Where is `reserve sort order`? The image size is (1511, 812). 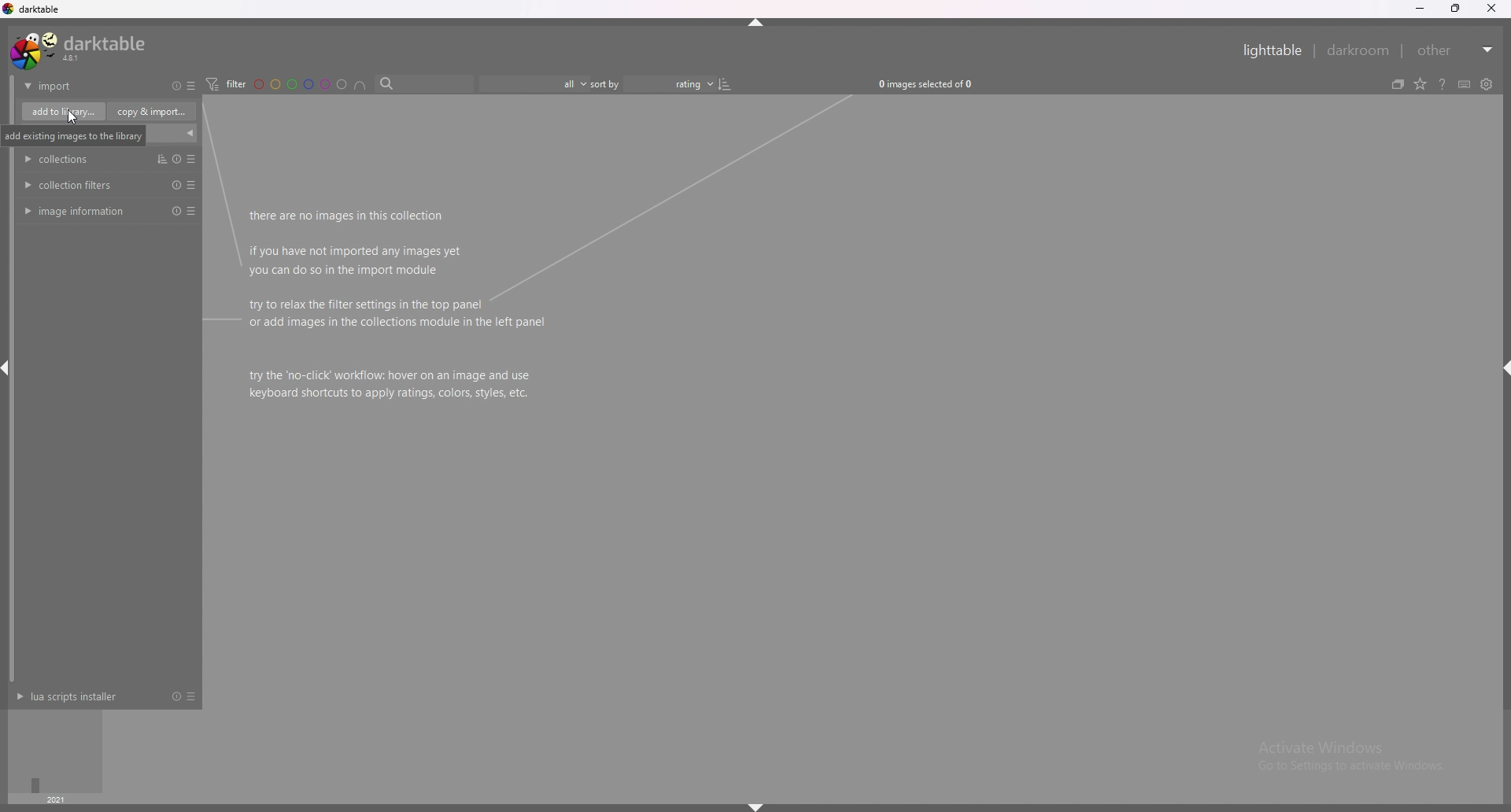
reserve sort order is located at coordinates (726, 83).